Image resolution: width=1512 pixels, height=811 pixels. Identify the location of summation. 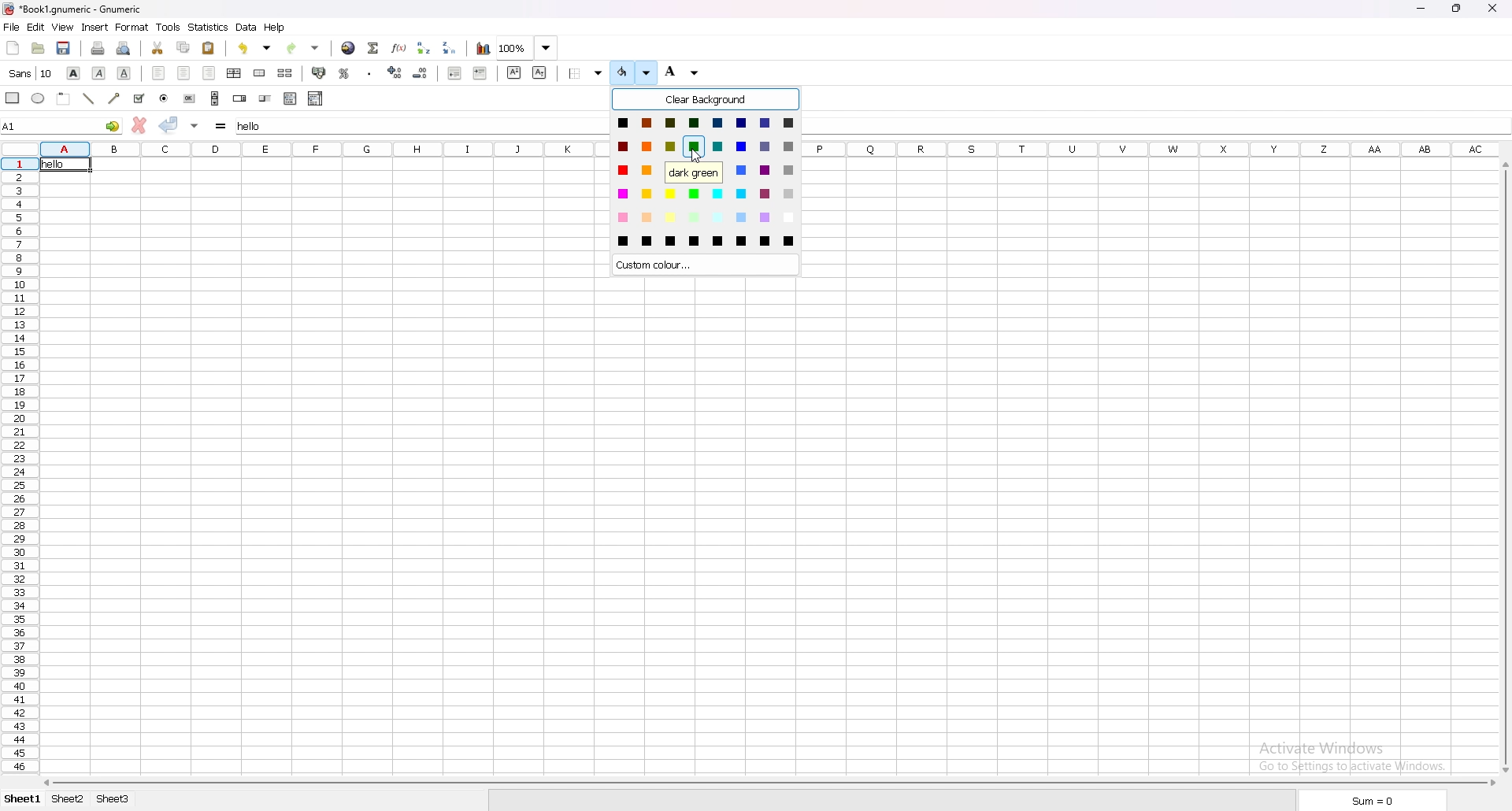
(375, 47).